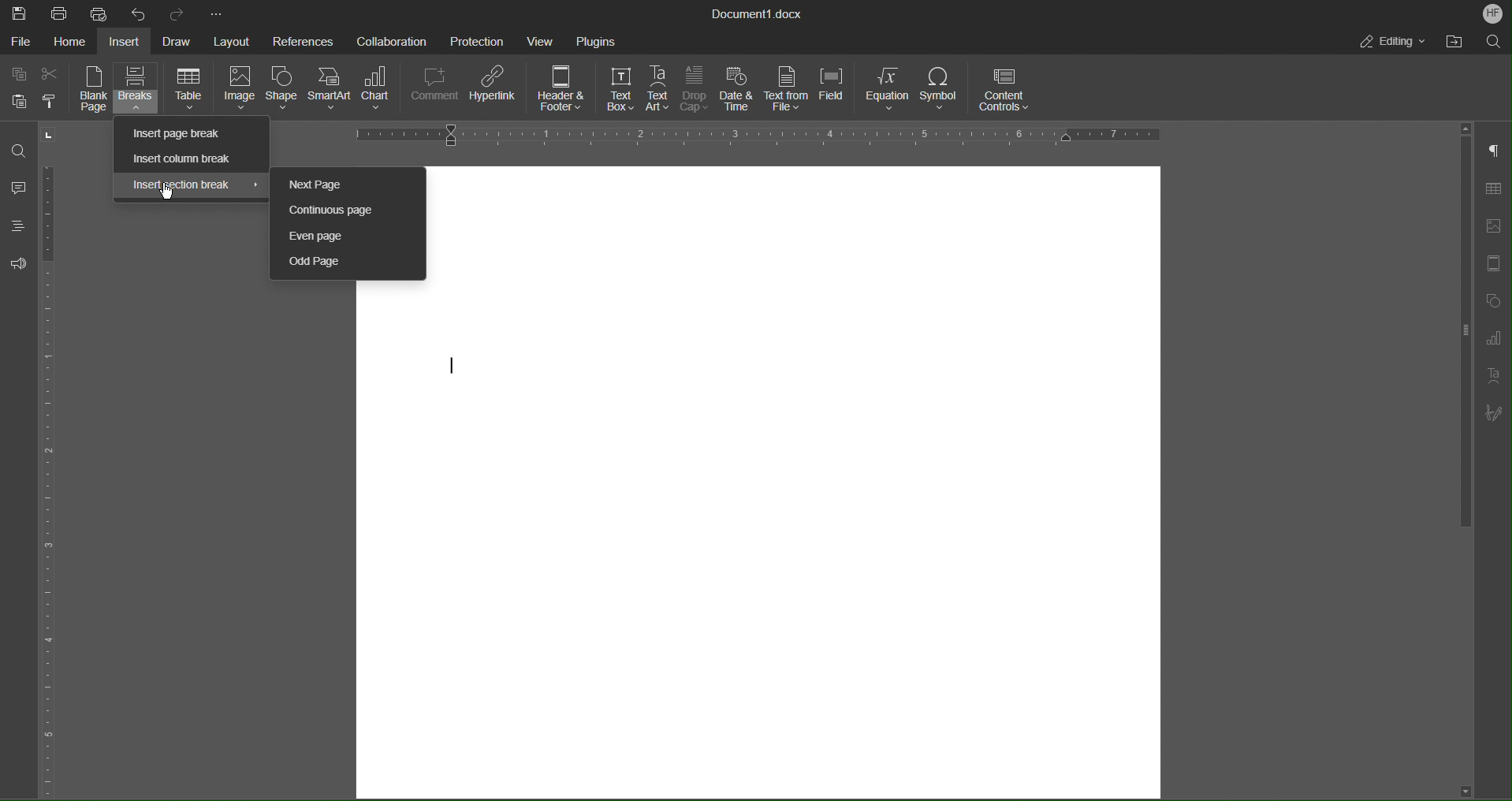 This screenshot has width=1512, height=801. Describe the element at coordinates (1492, 227) in the screenshot. I see `Image Settings` at that location.